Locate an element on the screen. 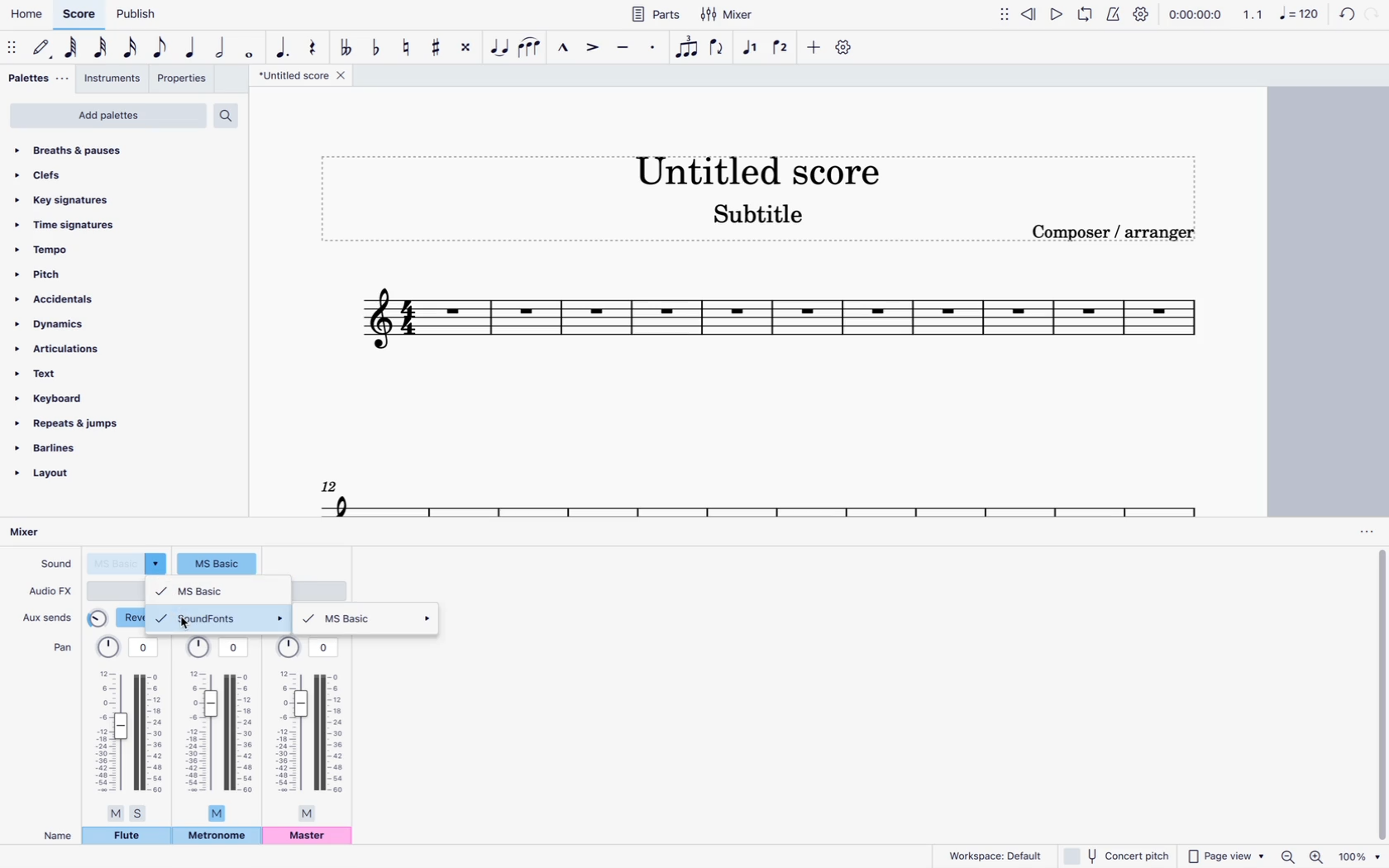 Image resolution: width=1389 pixels, height=868 pixels. clefs is located at coordinates (88, 174).